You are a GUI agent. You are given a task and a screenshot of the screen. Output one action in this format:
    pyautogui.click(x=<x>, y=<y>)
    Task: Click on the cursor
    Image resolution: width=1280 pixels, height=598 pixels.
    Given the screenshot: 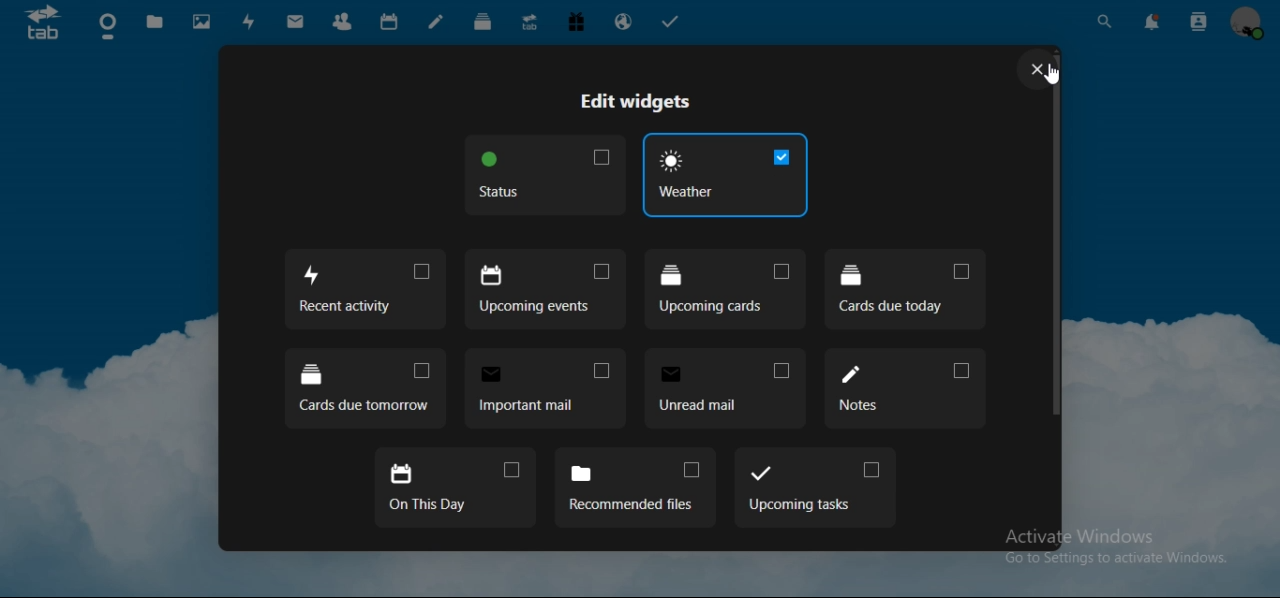 What is the action you would take?
    pyautogui.click(x=1050, y=79)
    